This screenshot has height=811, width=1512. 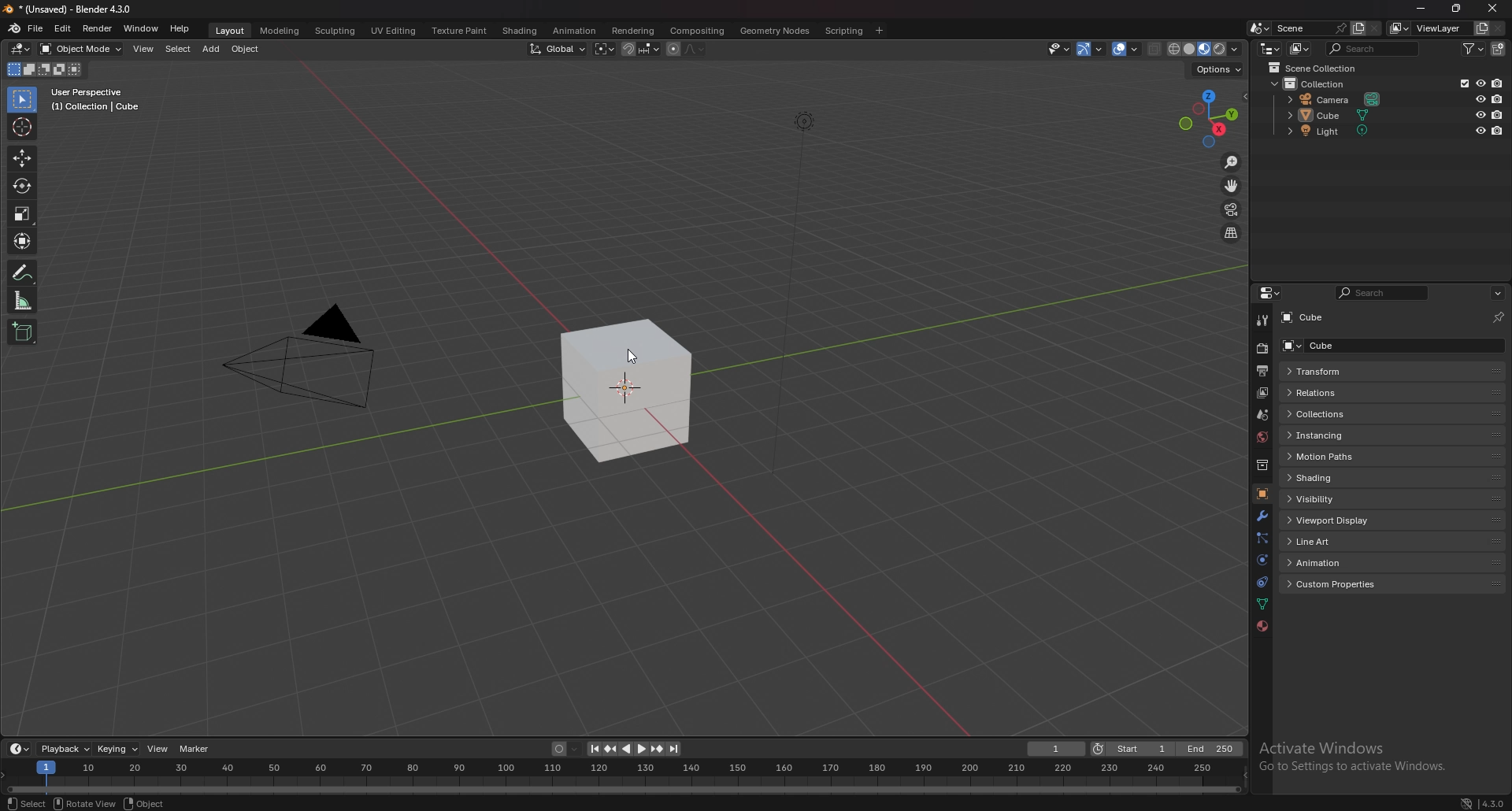 What do you see at coordinates (25, 803) in the screenshot?
I see `select` at bounding box center [25, 803].